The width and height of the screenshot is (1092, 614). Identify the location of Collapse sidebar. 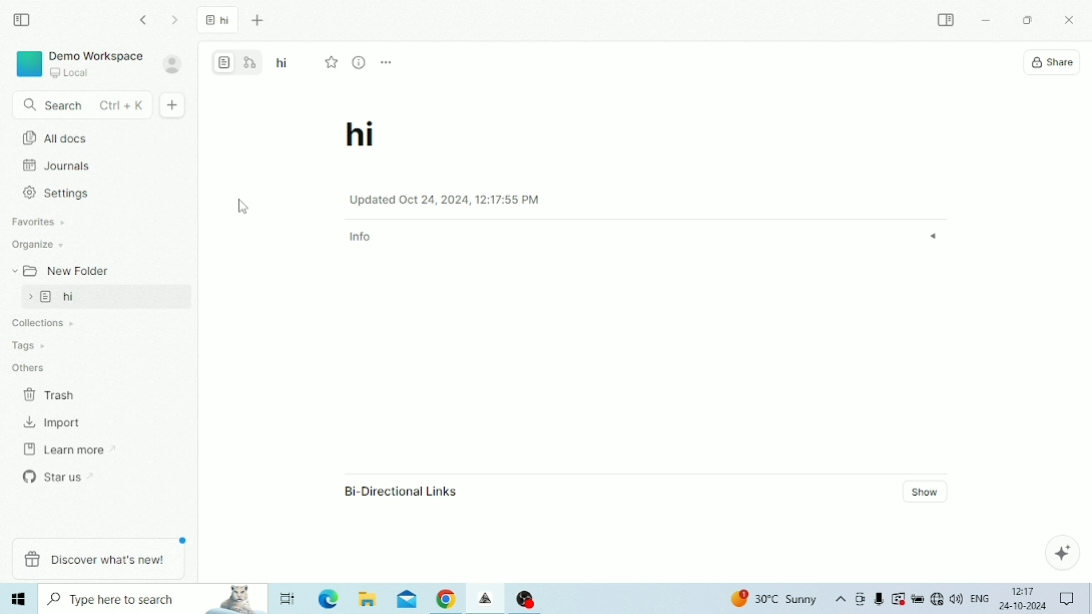
(23, 20).